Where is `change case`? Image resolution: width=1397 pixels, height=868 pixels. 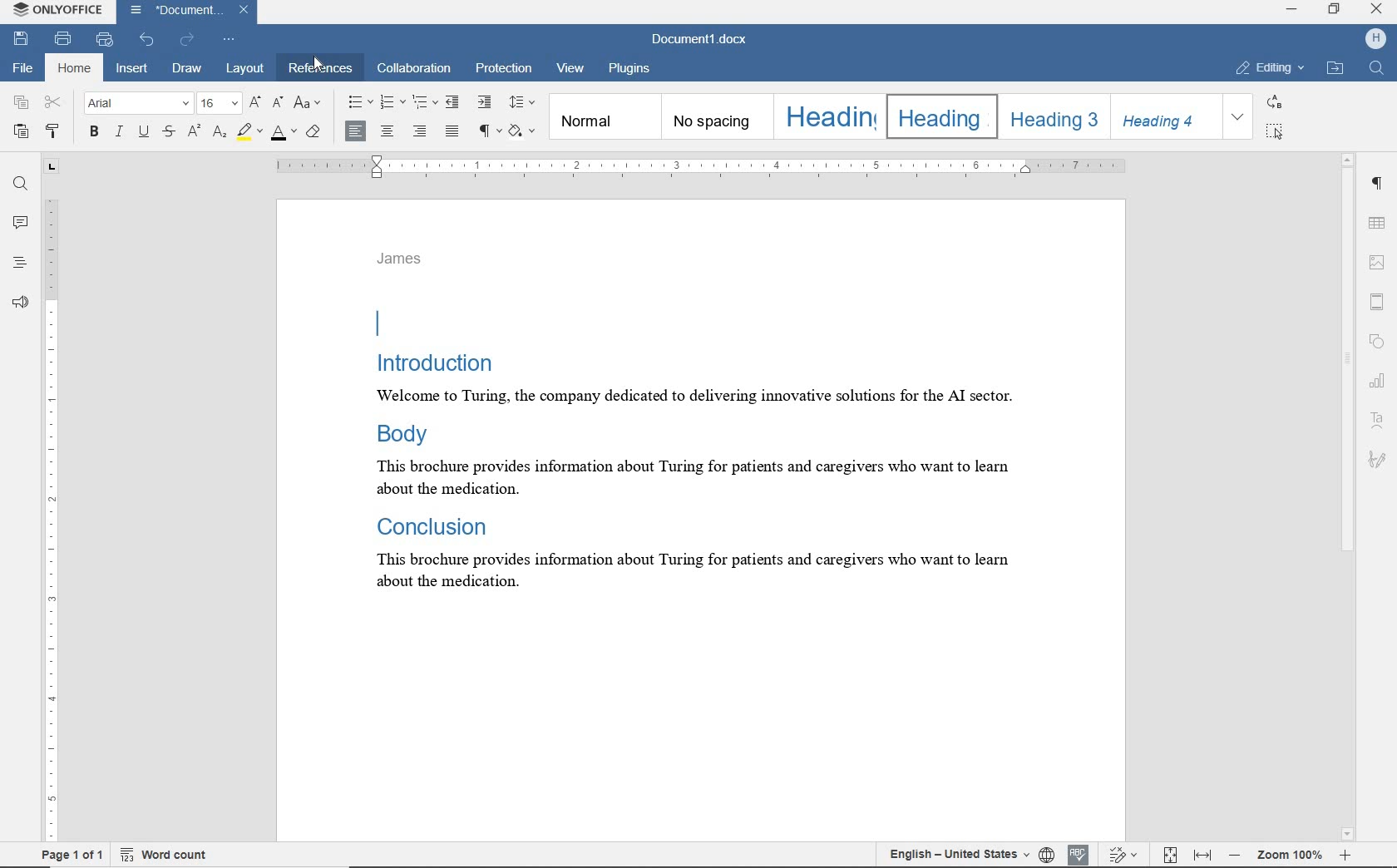
change case is located at coordinates (308, 104).